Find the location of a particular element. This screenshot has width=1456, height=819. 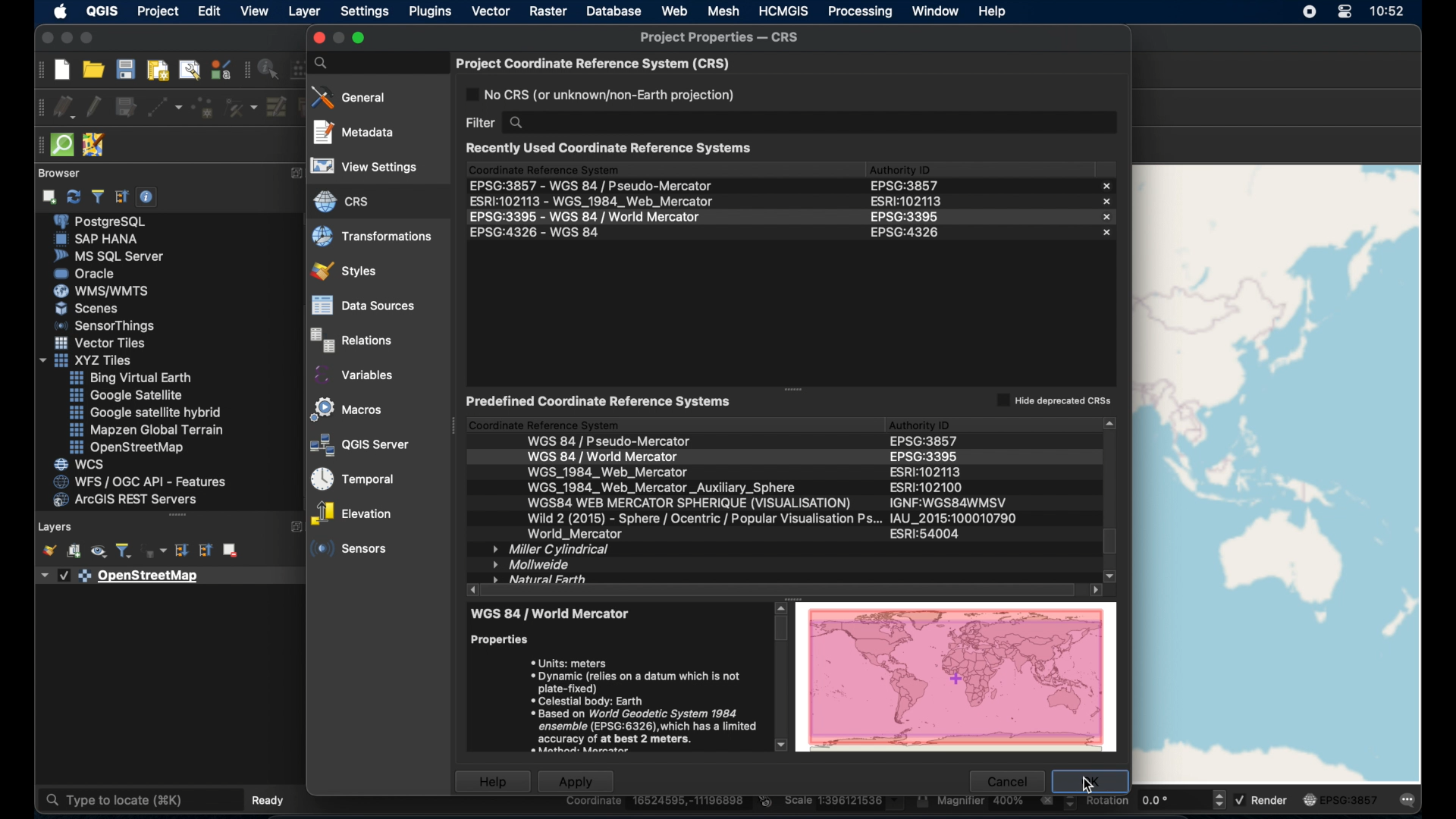

minimize is located at coordinates (67, 38).